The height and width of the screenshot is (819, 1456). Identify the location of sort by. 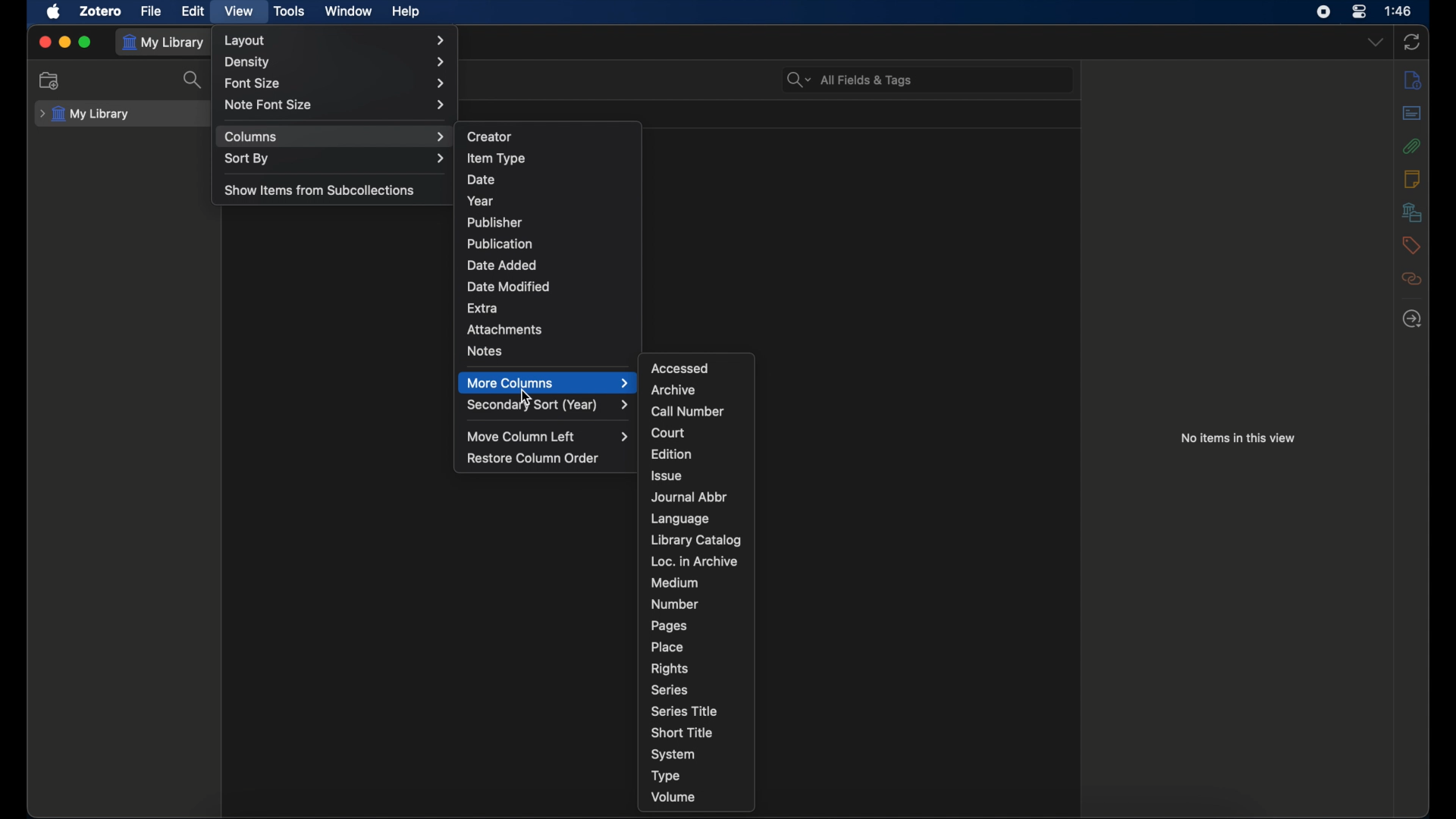
(335, 159).